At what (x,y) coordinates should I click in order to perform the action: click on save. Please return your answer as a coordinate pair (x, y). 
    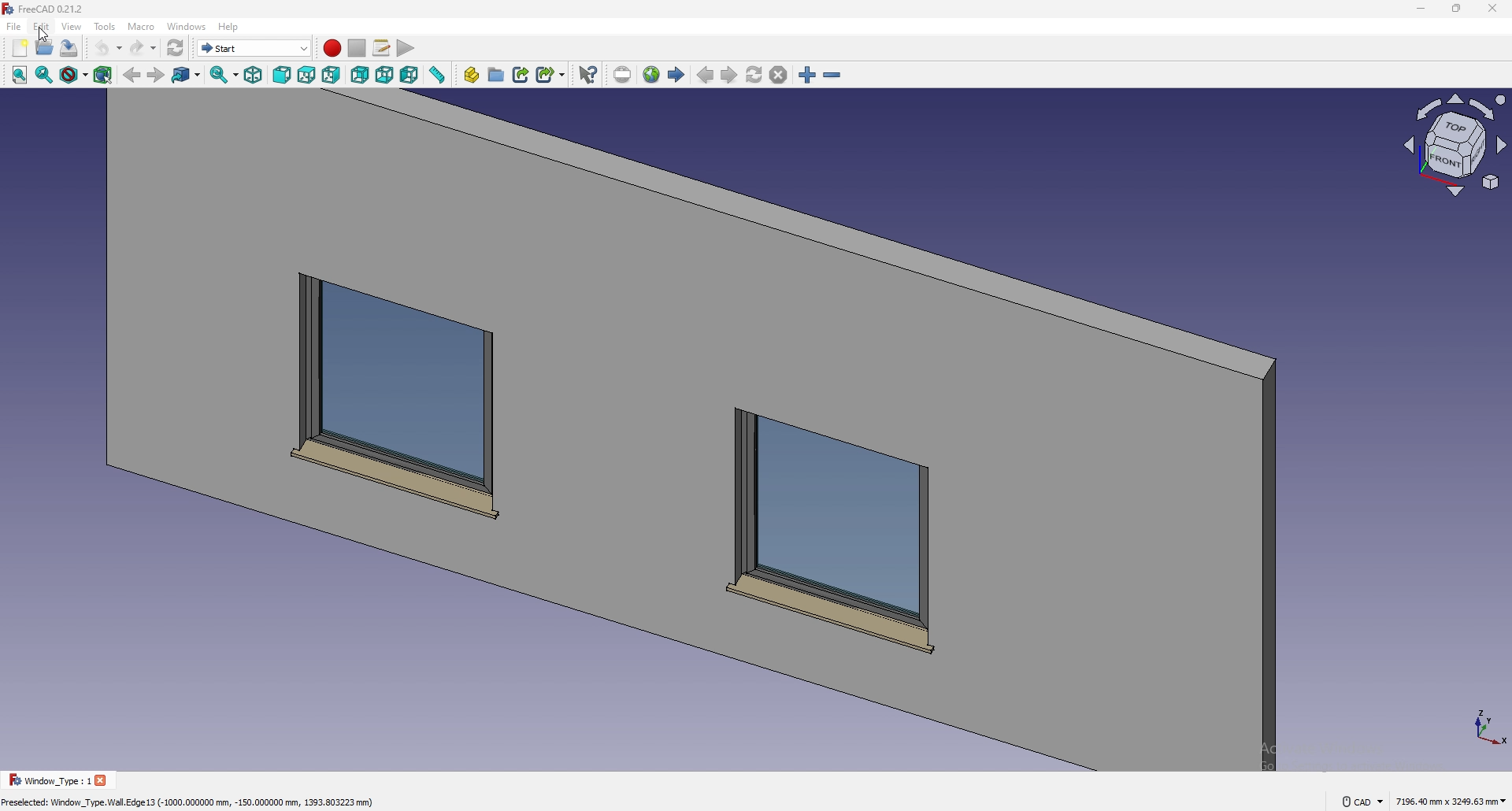
    Looking at the image, I should click on (69, 47).